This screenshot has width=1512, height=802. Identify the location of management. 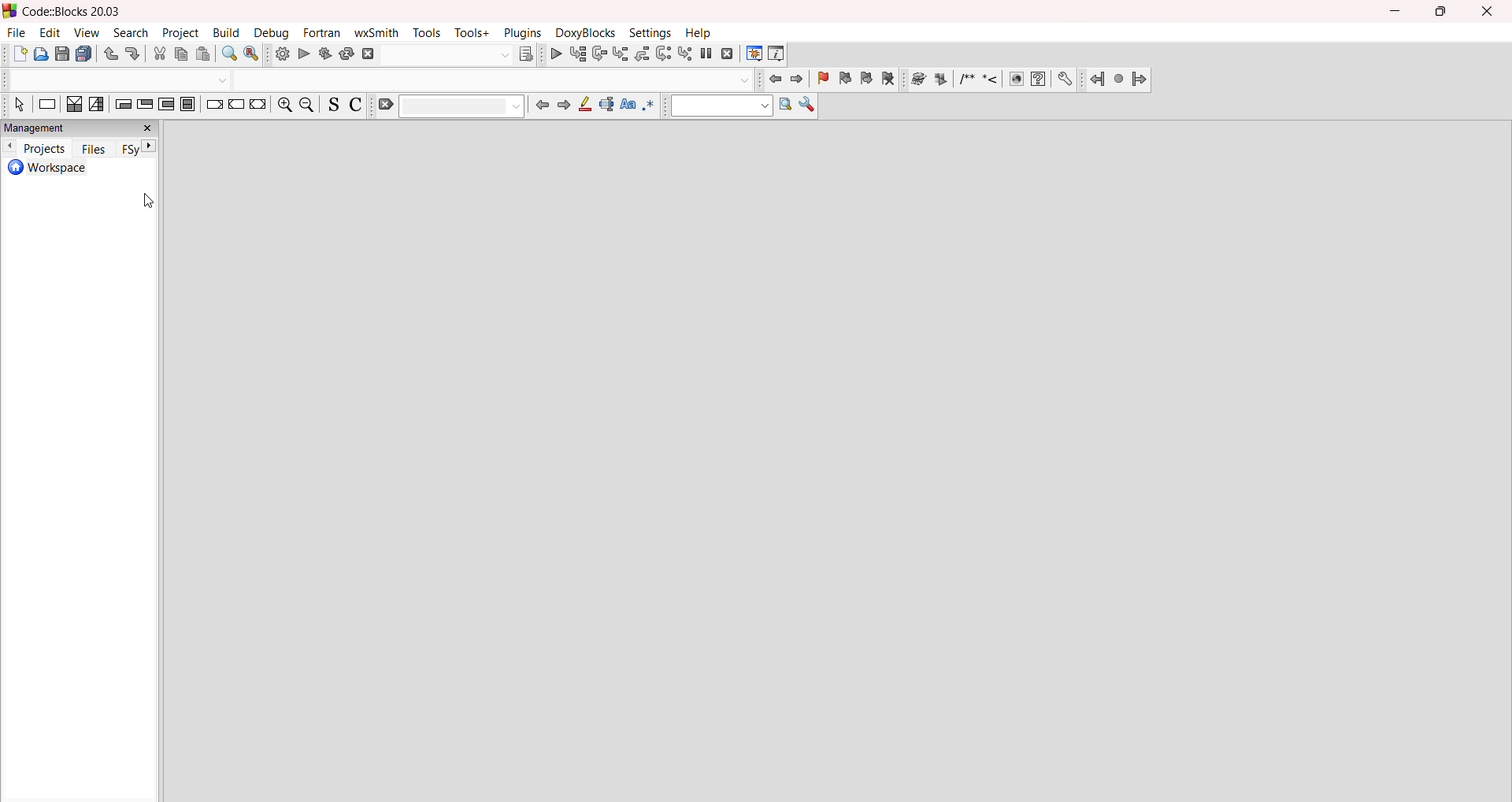
(80, 128).